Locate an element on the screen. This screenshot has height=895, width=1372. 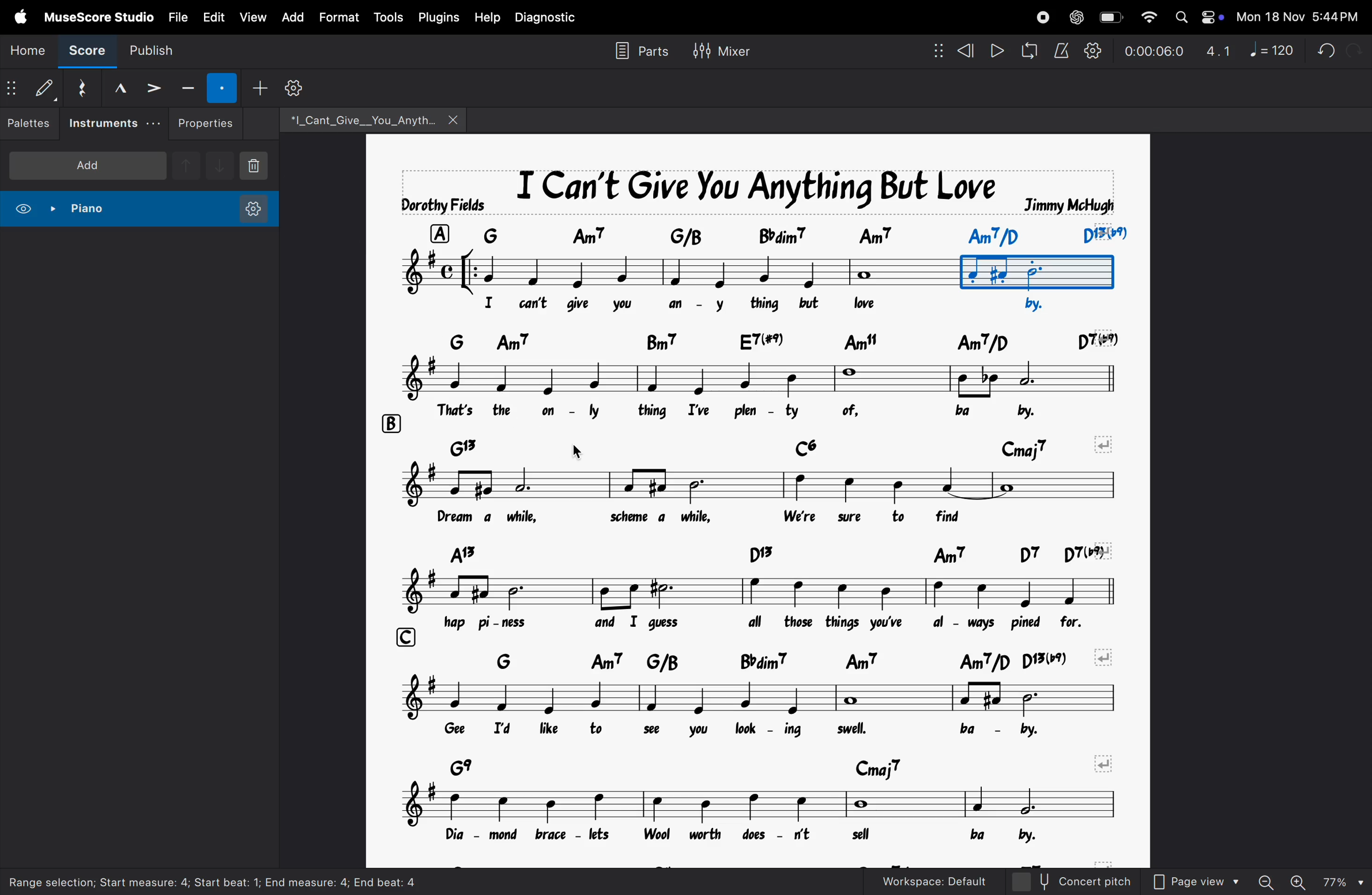
lyrics is located at coordinates (761, 840).